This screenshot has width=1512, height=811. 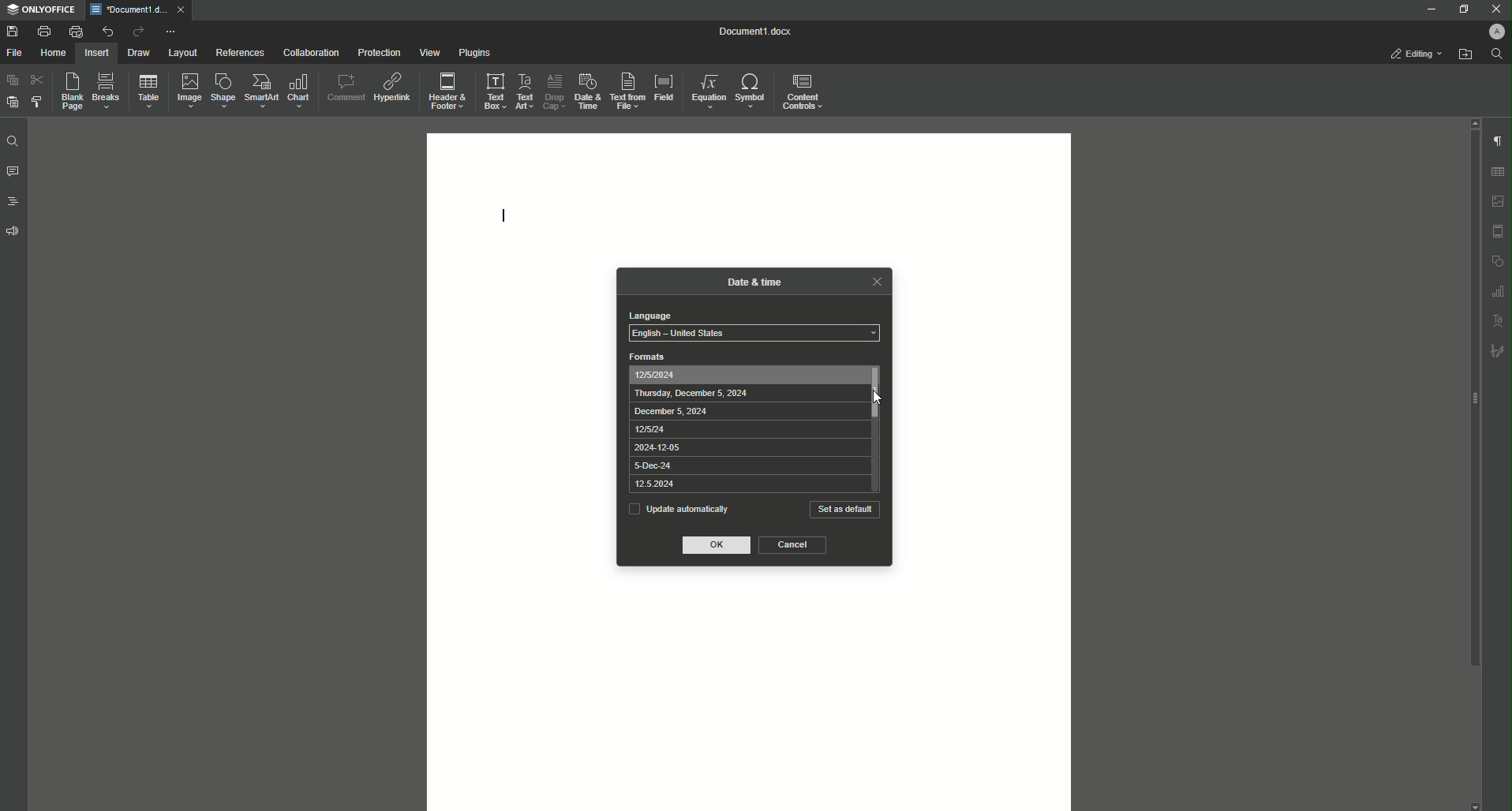 I want to click on Paragraph Settings, so click(x=1496, y=140).